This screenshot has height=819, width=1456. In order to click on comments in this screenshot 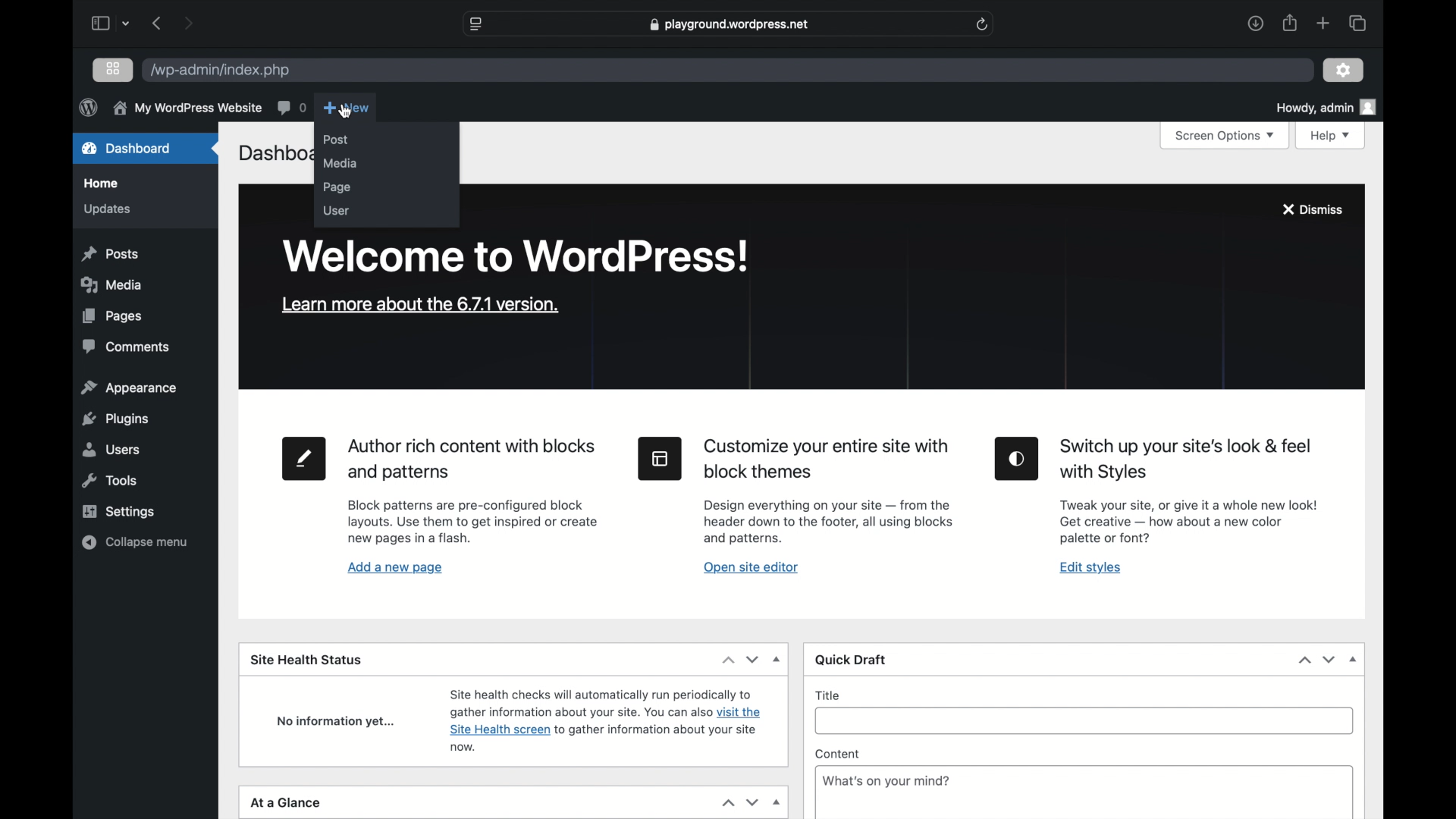, I will do `click(291, 107)`.